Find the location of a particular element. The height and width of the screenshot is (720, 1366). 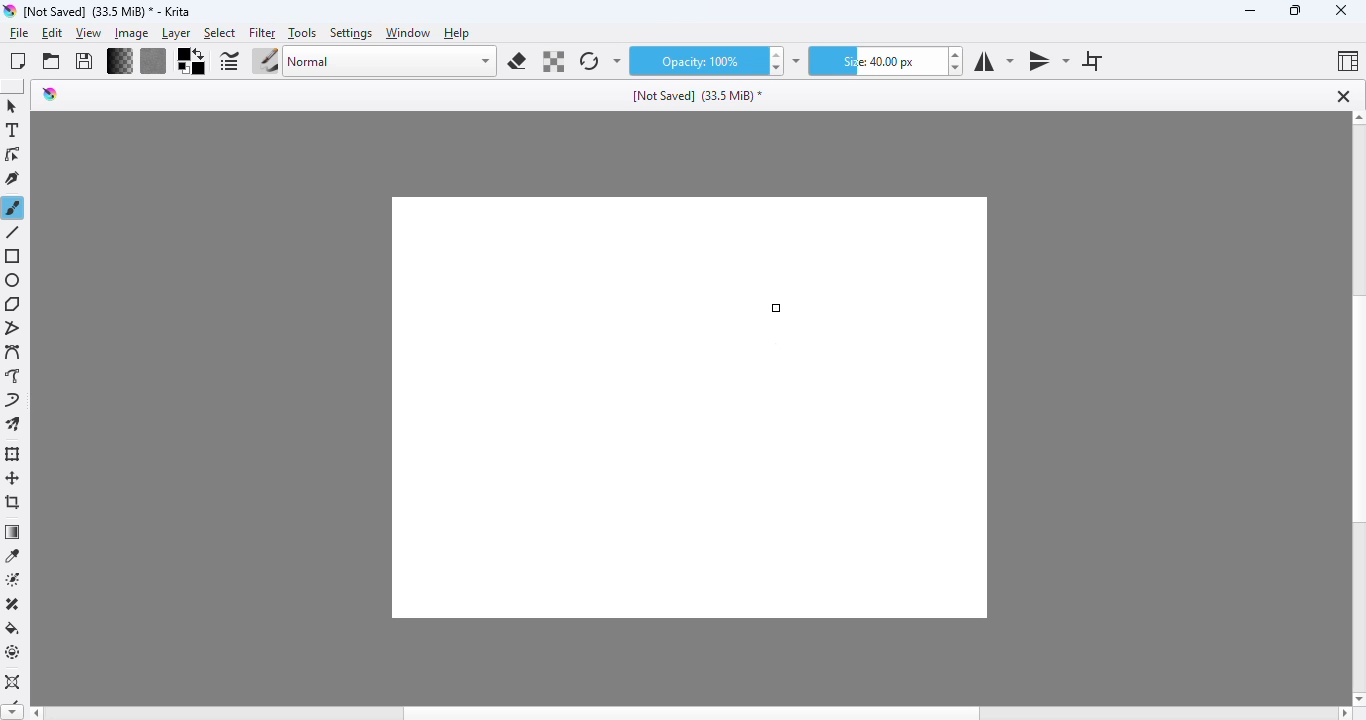

multibrush tool is located at coordinates (15, 425).